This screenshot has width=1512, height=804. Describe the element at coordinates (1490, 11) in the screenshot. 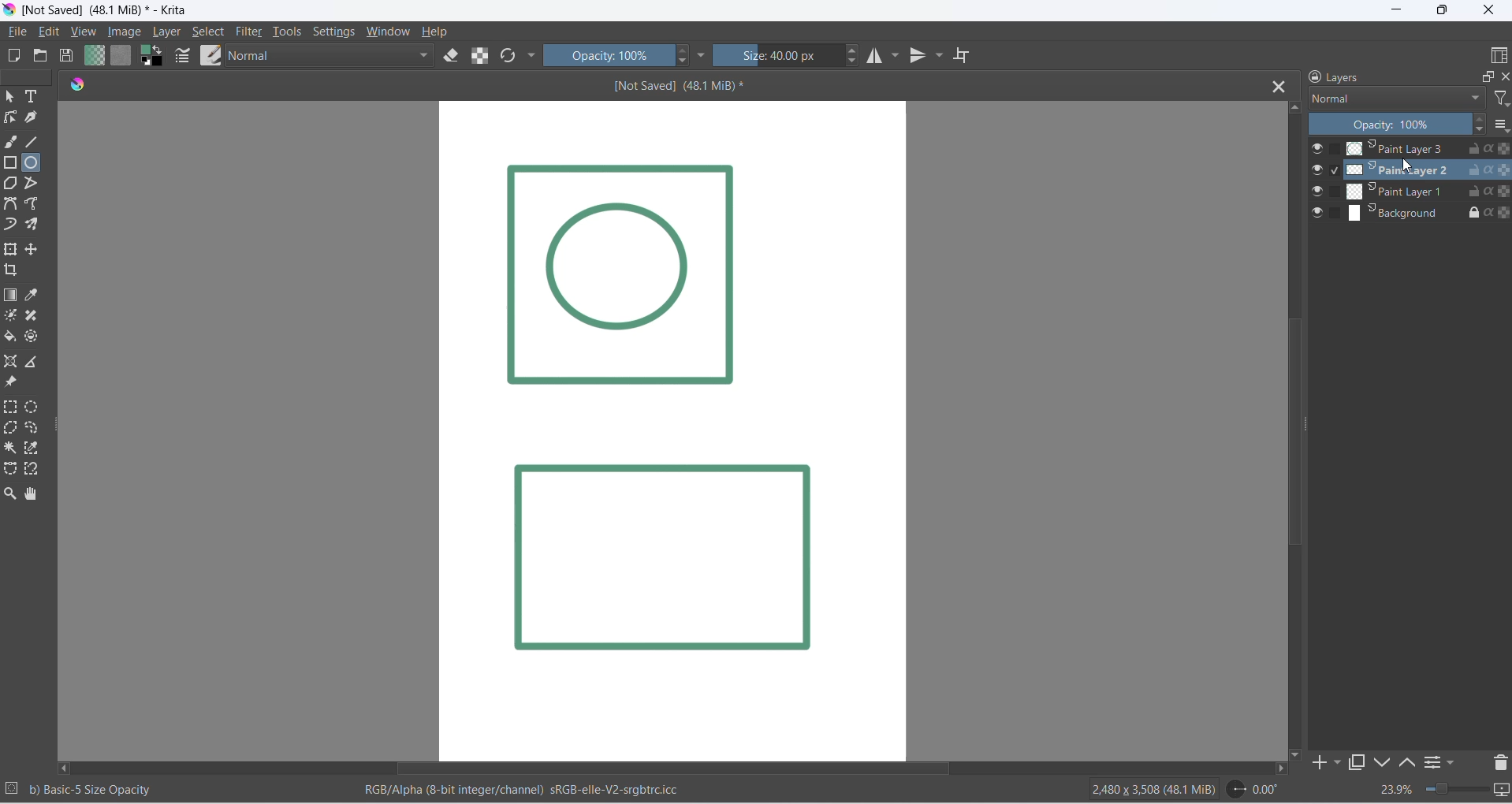

I see `close` at that location.